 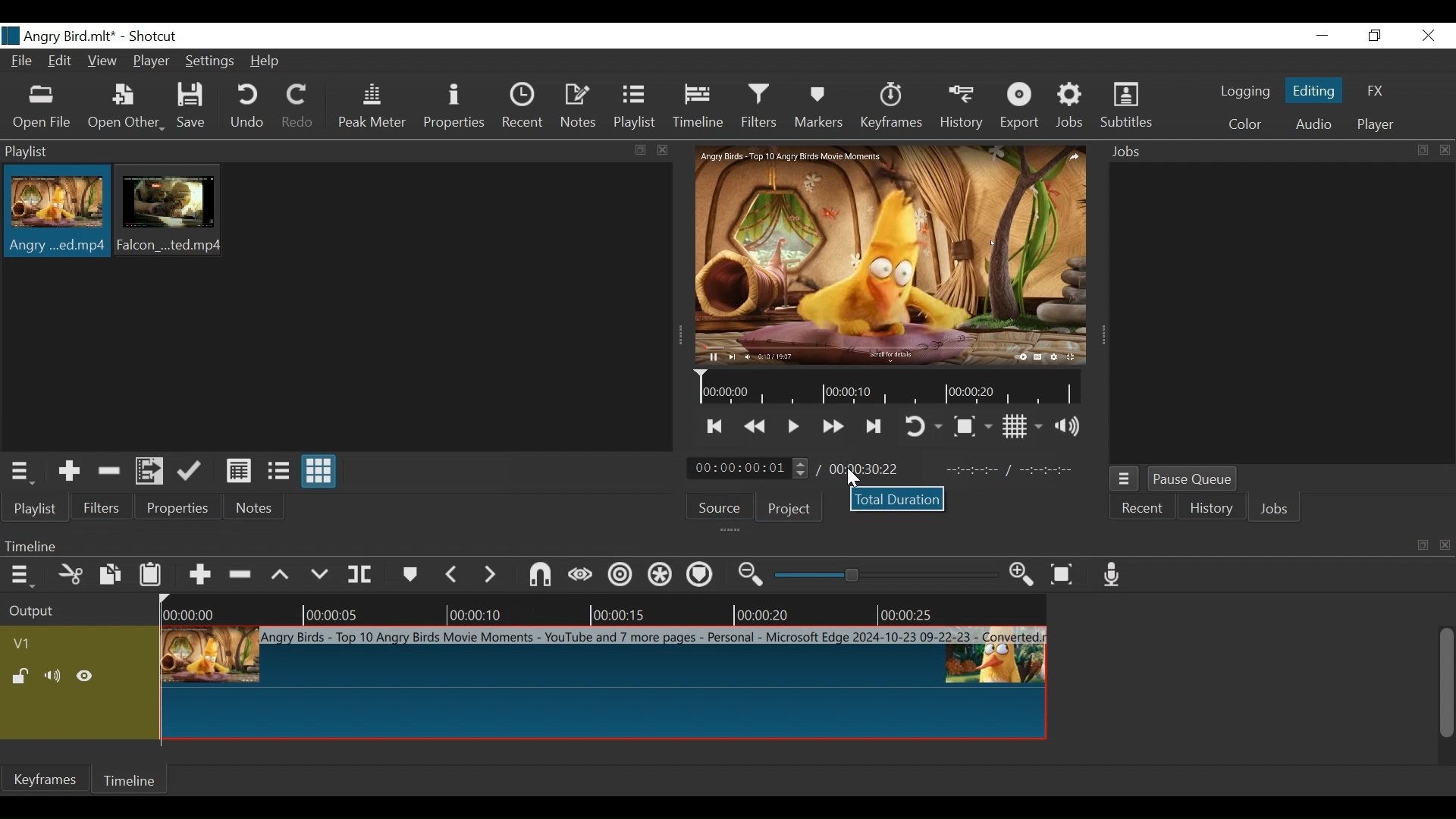 I want to click on Record audio, so click(x=1113, y=574).